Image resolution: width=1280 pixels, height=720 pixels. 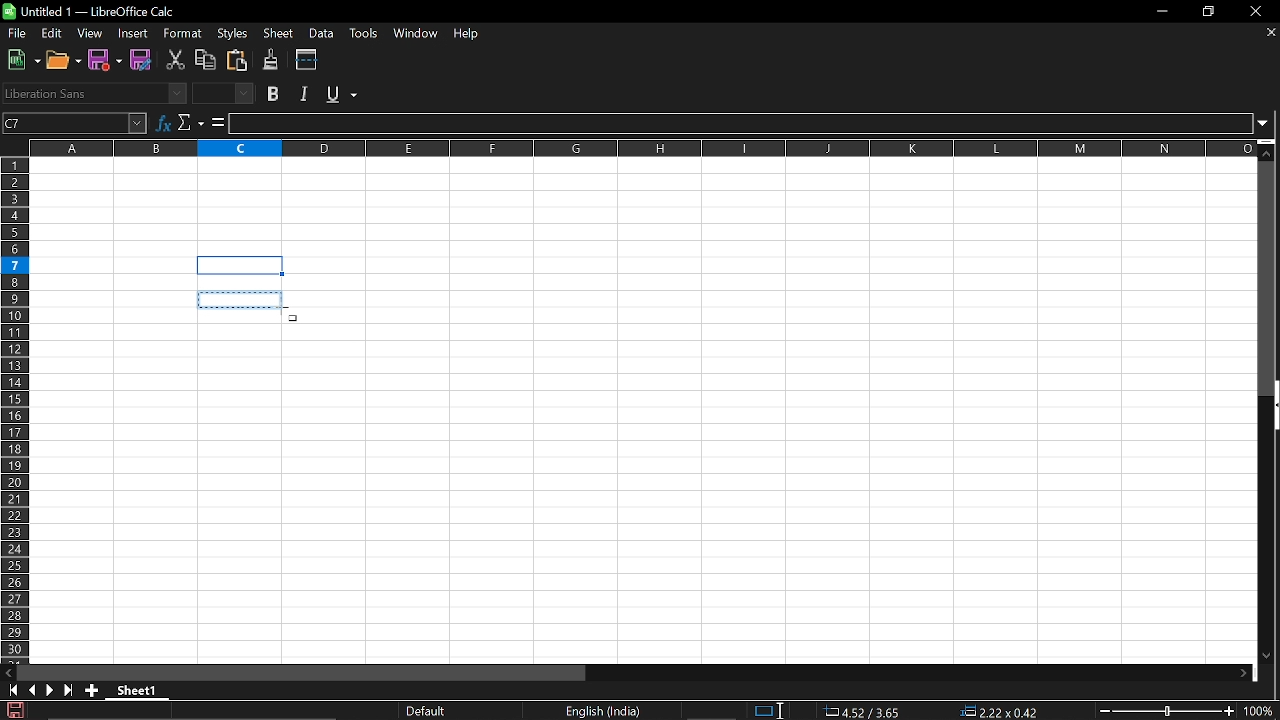 I want to click on MOve left, so click(x=8, y=673).